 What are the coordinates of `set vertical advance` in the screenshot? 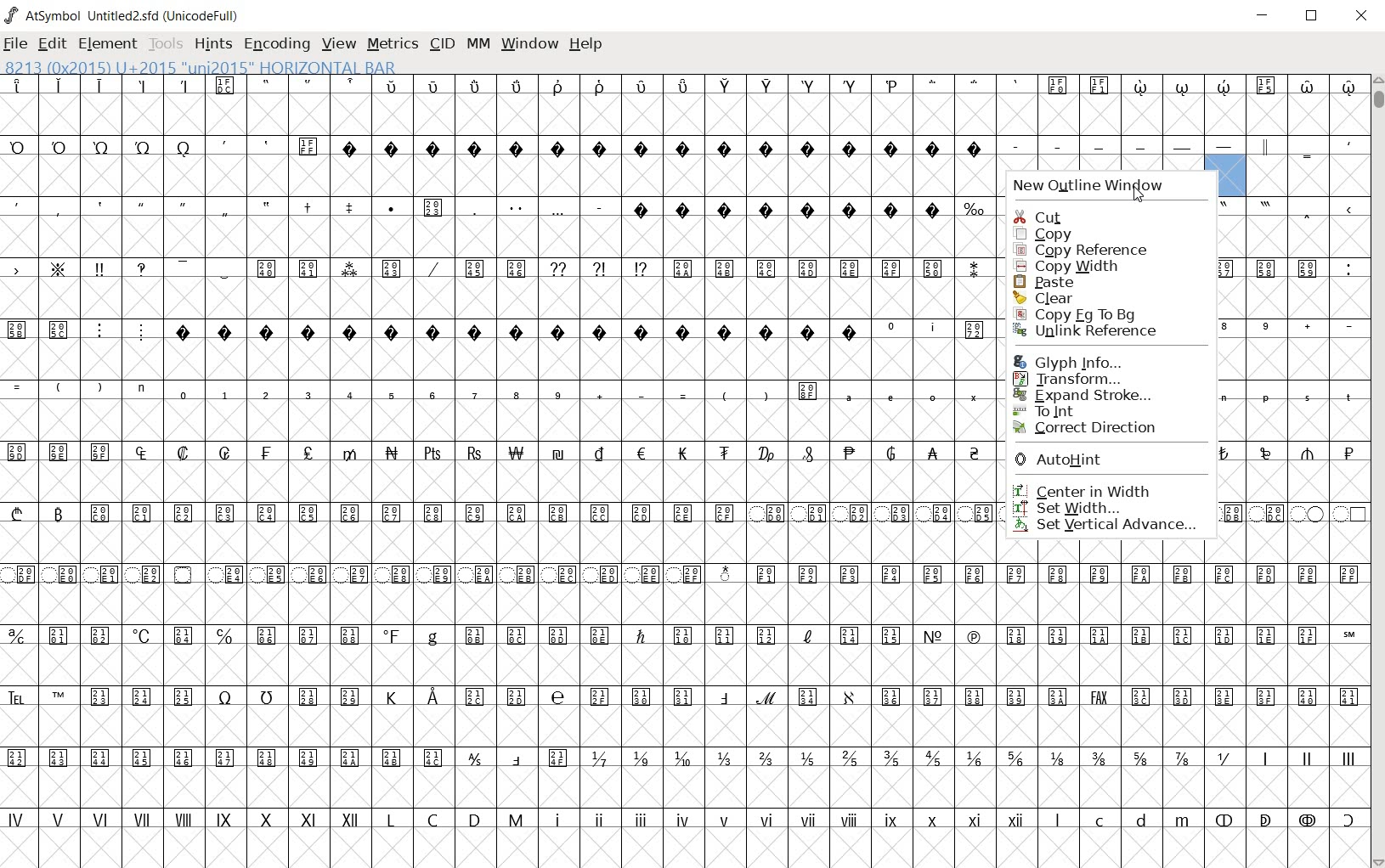 It's located at (1111, 526).